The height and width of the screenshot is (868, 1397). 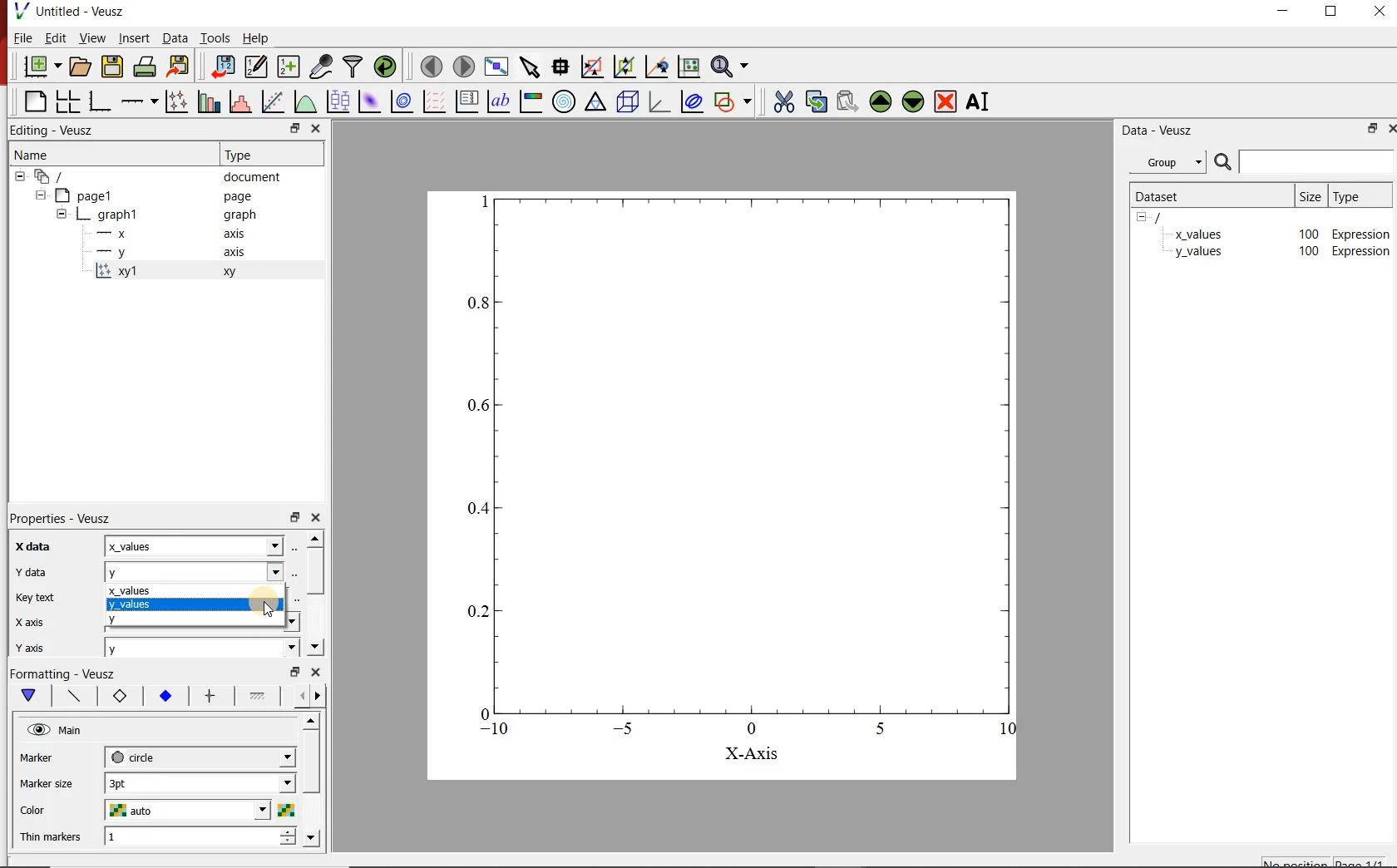 What do you see at coordinates (291, 67) in the screenshot?
I see `create new datasets using ranges, parametrically or as functions of existing datasets` at bounding box center [291, 67].